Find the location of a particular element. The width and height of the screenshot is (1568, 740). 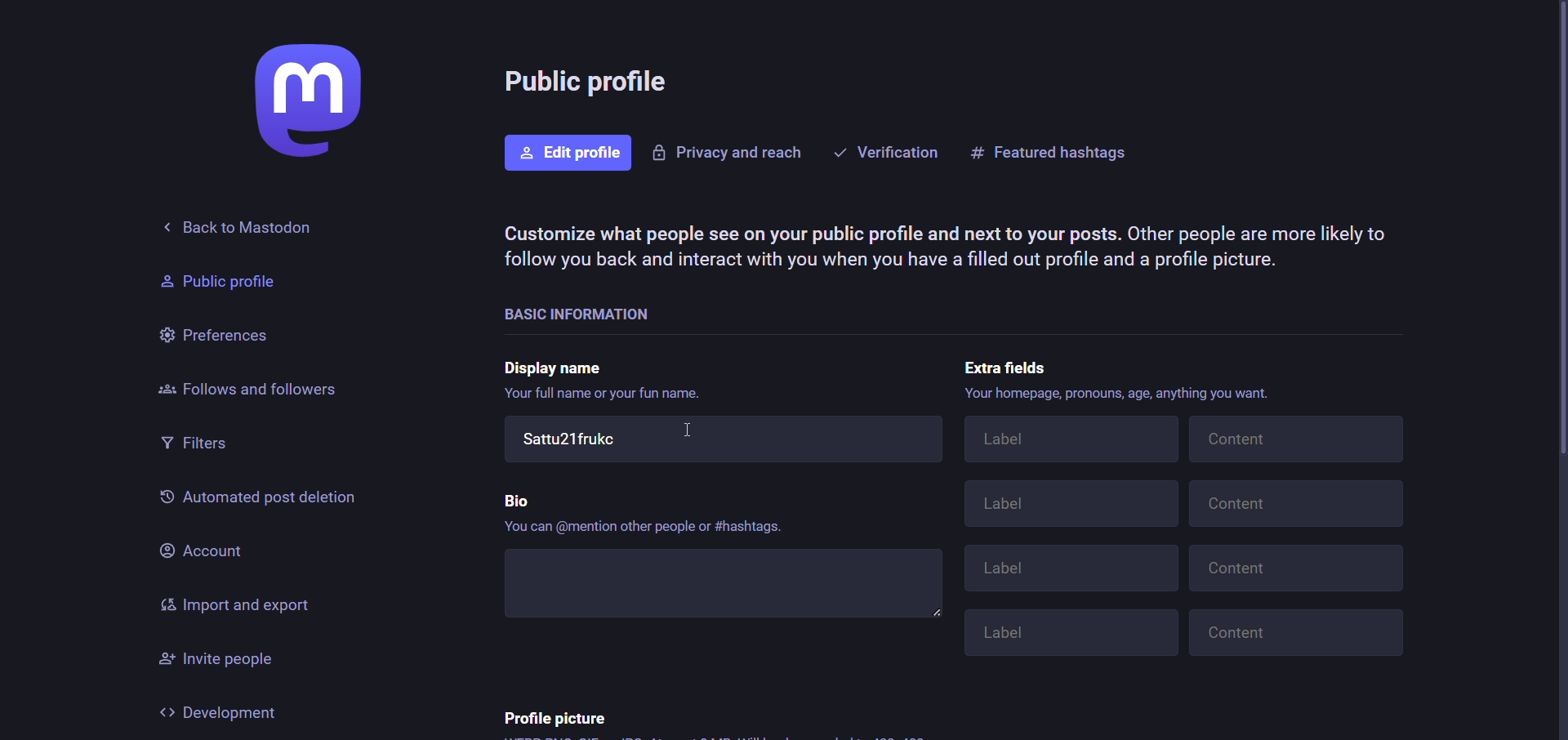

Label is located at coordinates (1068, 635).